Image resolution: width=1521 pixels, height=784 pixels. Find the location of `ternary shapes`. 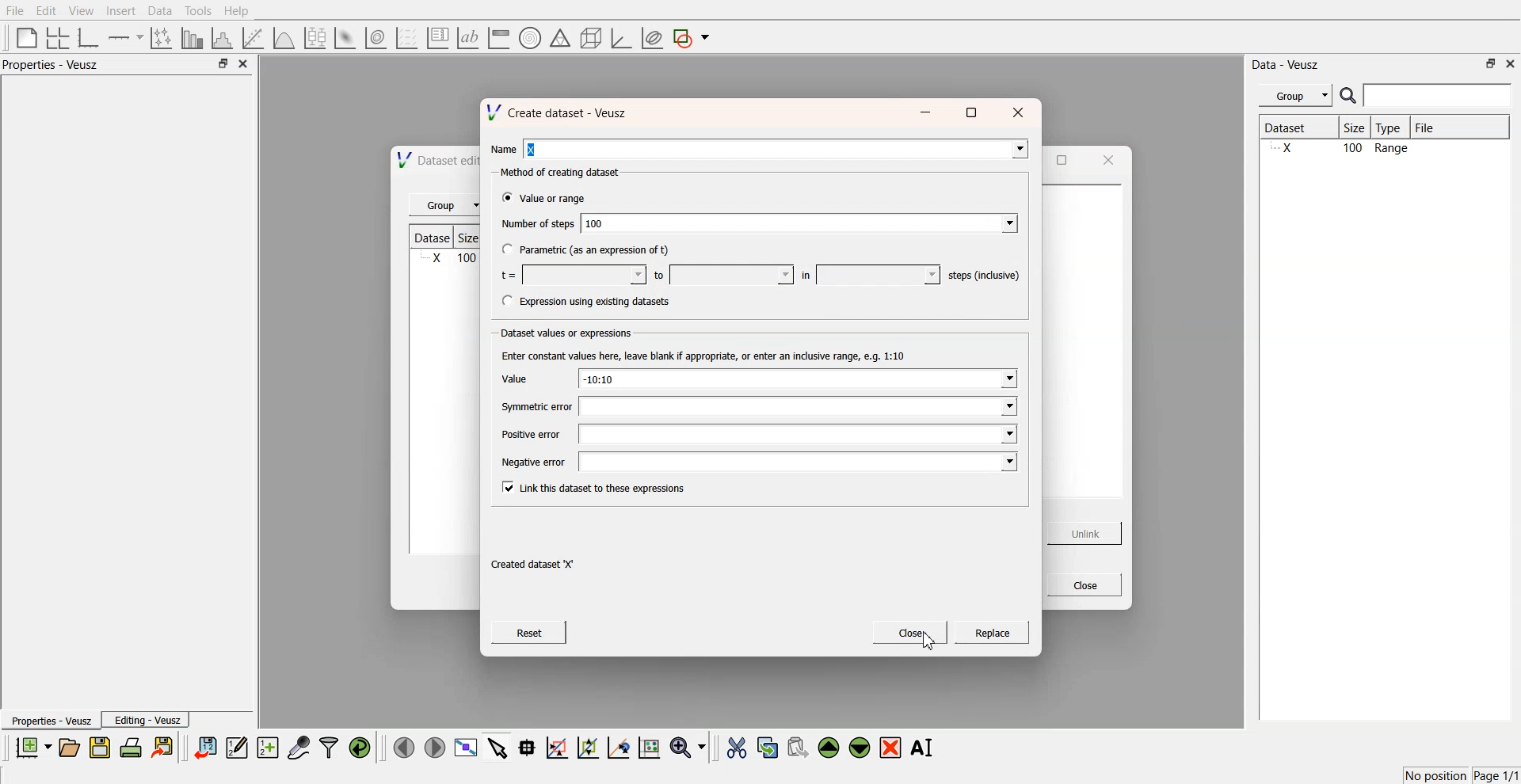

ternary shapes is located at coordinates (558, 40).